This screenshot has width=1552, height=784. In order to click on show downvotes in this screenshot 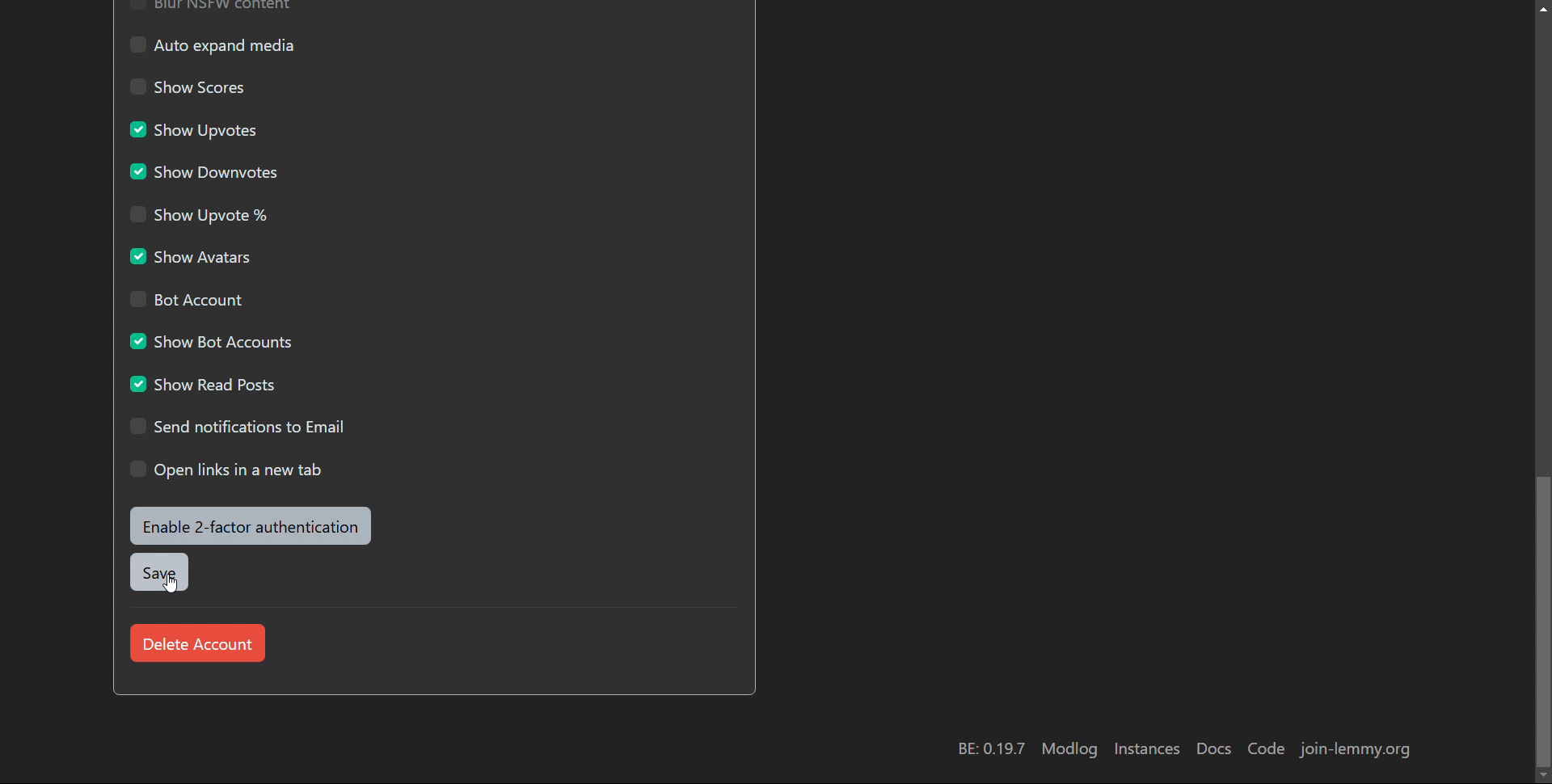, I will do `click(203, 172)`.